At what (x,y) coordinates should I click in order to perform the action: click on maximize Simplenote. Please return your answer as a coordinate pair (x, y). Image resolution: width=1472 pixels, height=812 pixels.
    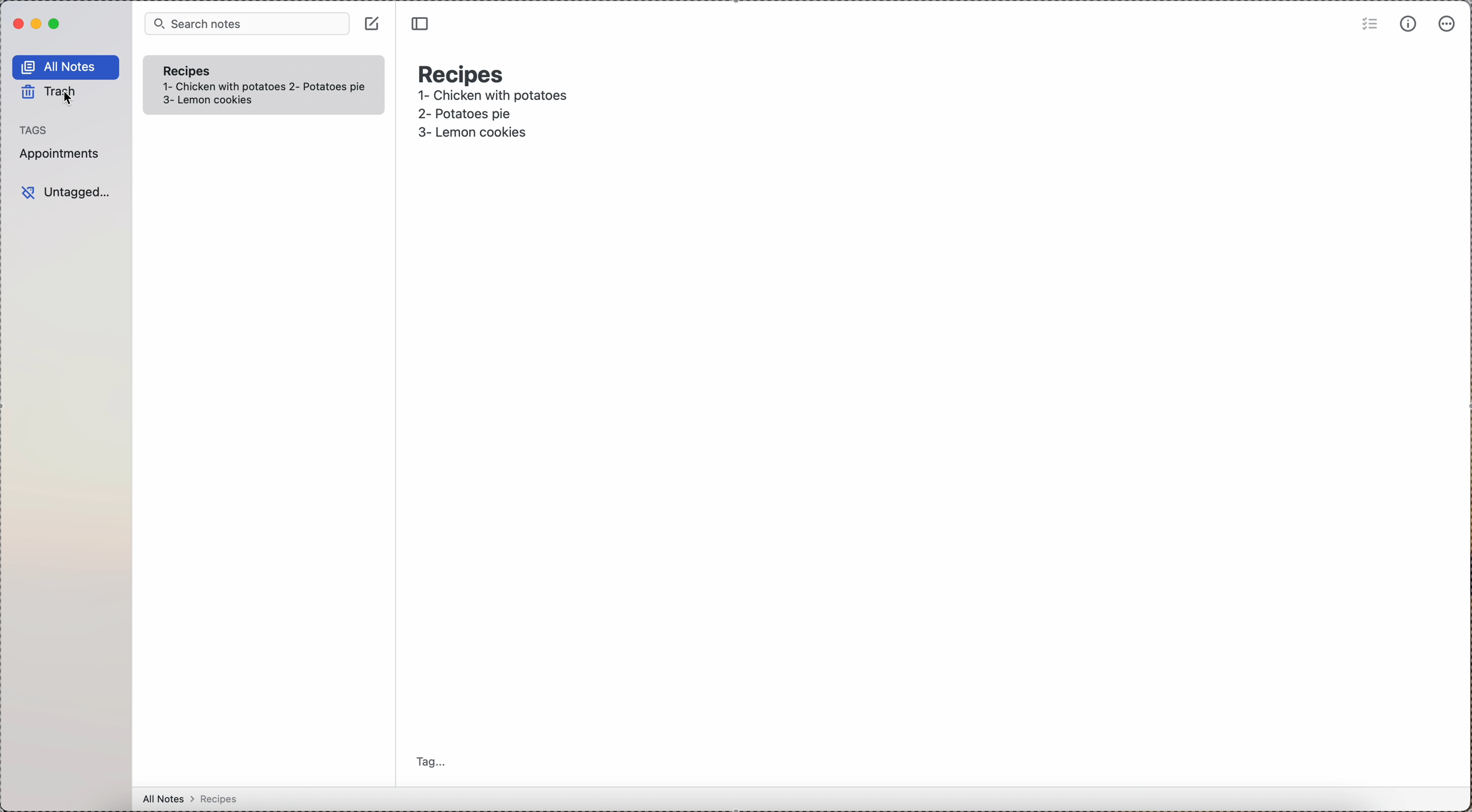
    Looking at the image, I should click on (55, 23).